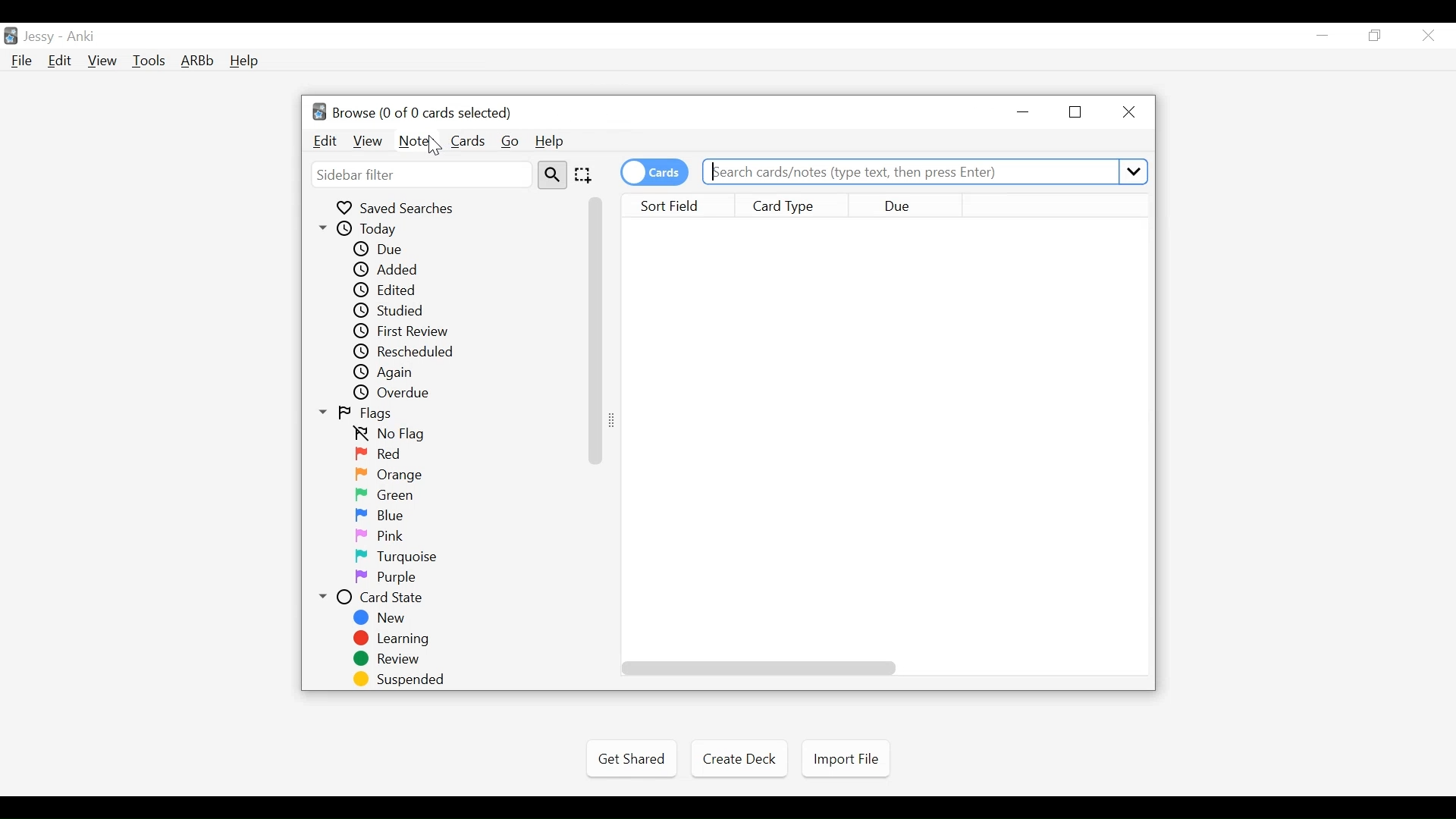 The image size is (1456, 819). What do you see at coordinates (326, 141) in the screenshot?
I see `Edit` at bounding box center [326, 141].